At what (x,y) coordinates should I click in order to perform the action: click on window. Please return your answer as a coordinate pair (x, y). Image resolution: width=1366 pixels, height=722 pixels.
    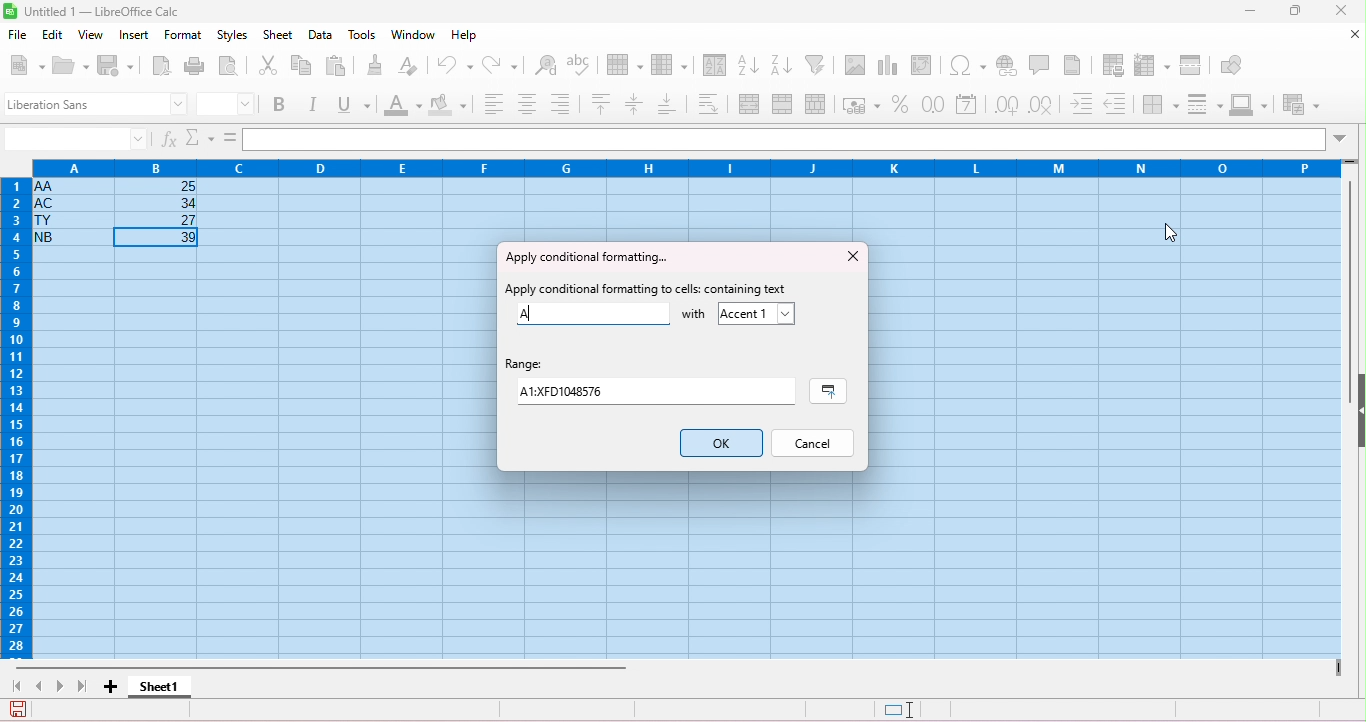
    Looking at the image, I should click on (414, 35).